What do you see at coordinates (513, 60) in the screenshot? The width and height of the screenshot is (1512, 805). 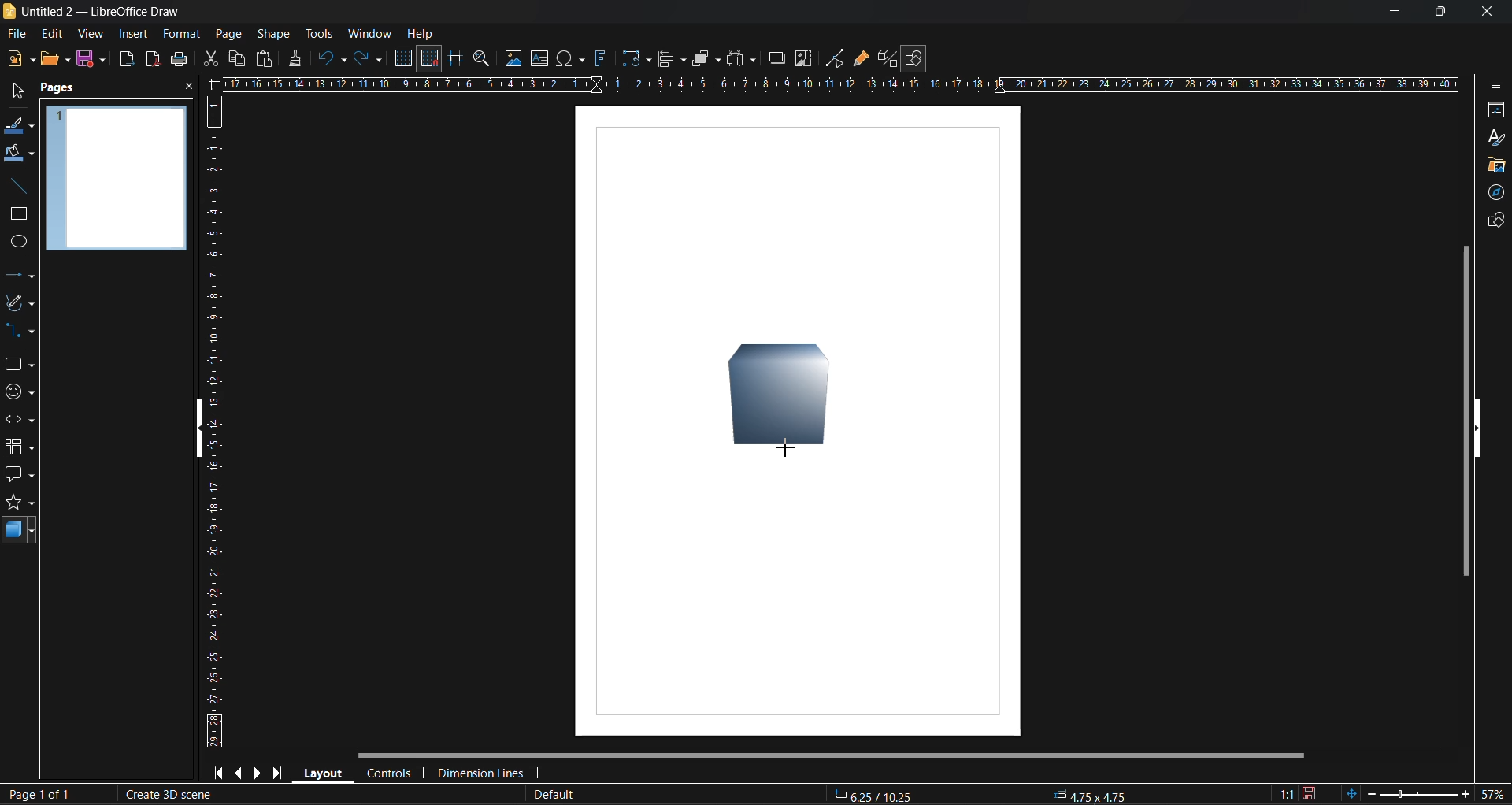 I see `image` at bounding box center [513, 60].